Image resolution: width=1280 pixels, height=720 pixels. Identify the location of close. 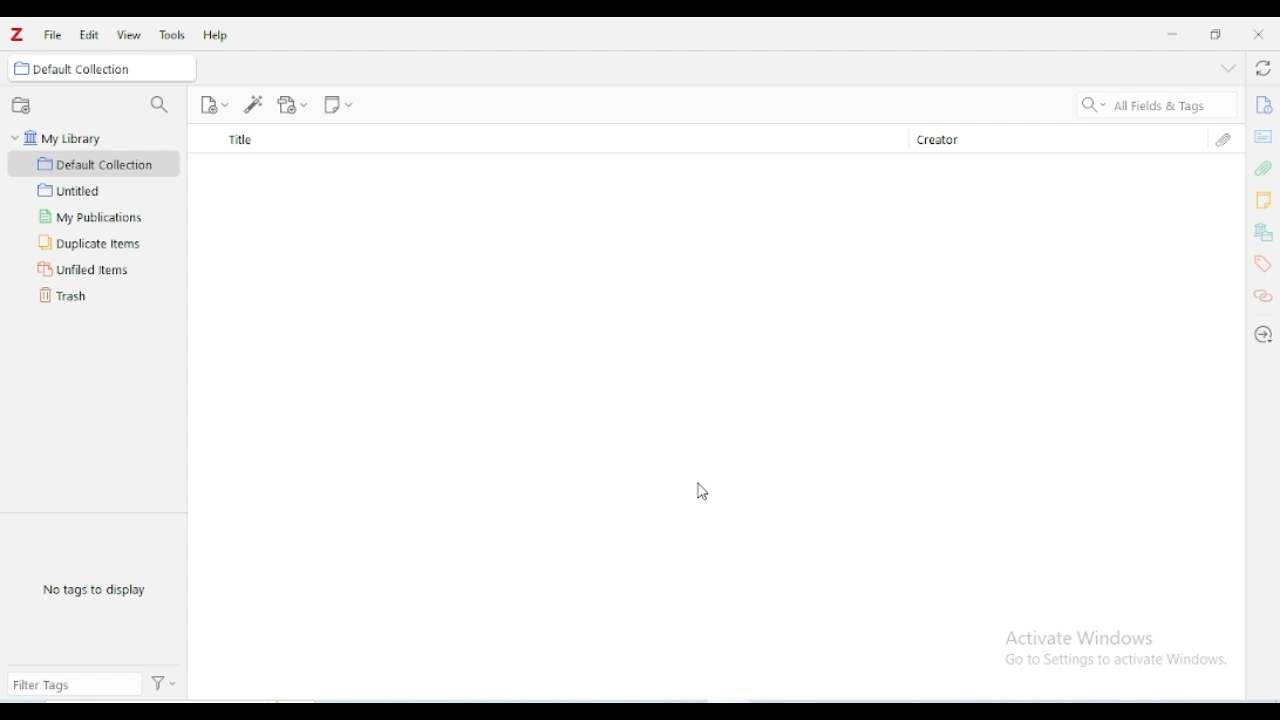
(1258, 34).